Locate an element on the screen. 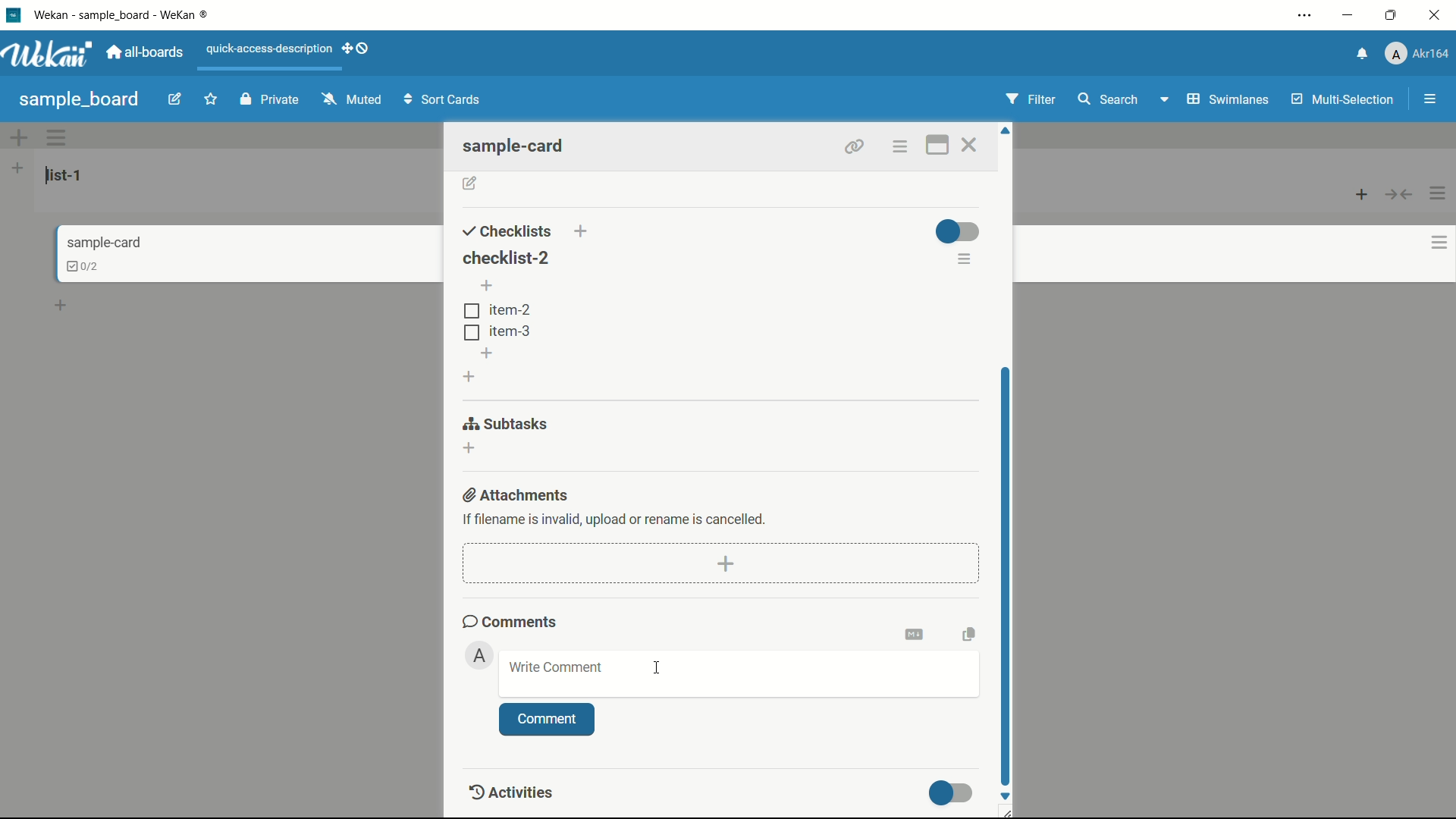 The width and height of the screenshot is (1456, 819). add item is located at coordinates (488, 353).